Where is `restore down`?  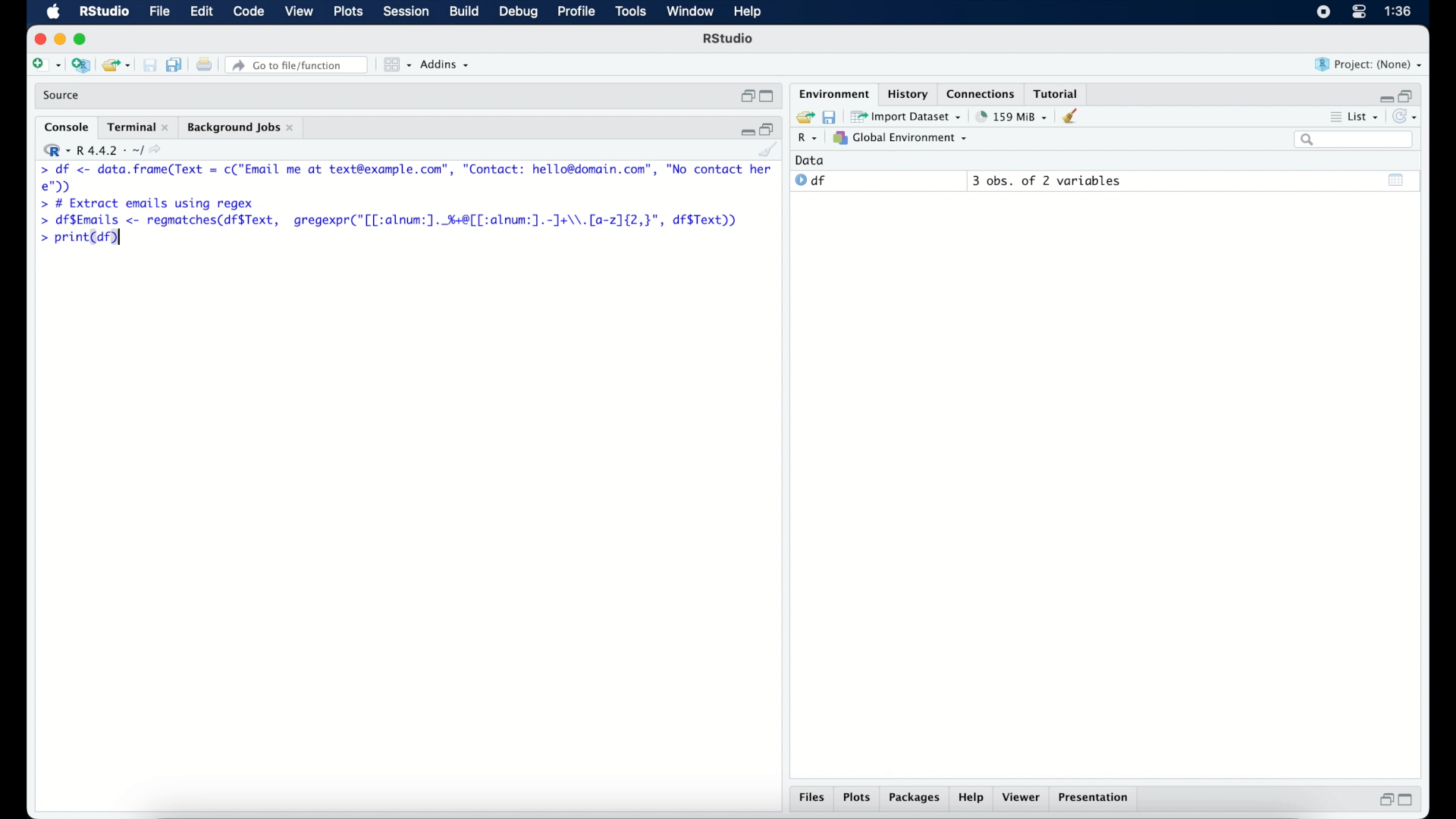
restore down is located at coordinates (745, 97).